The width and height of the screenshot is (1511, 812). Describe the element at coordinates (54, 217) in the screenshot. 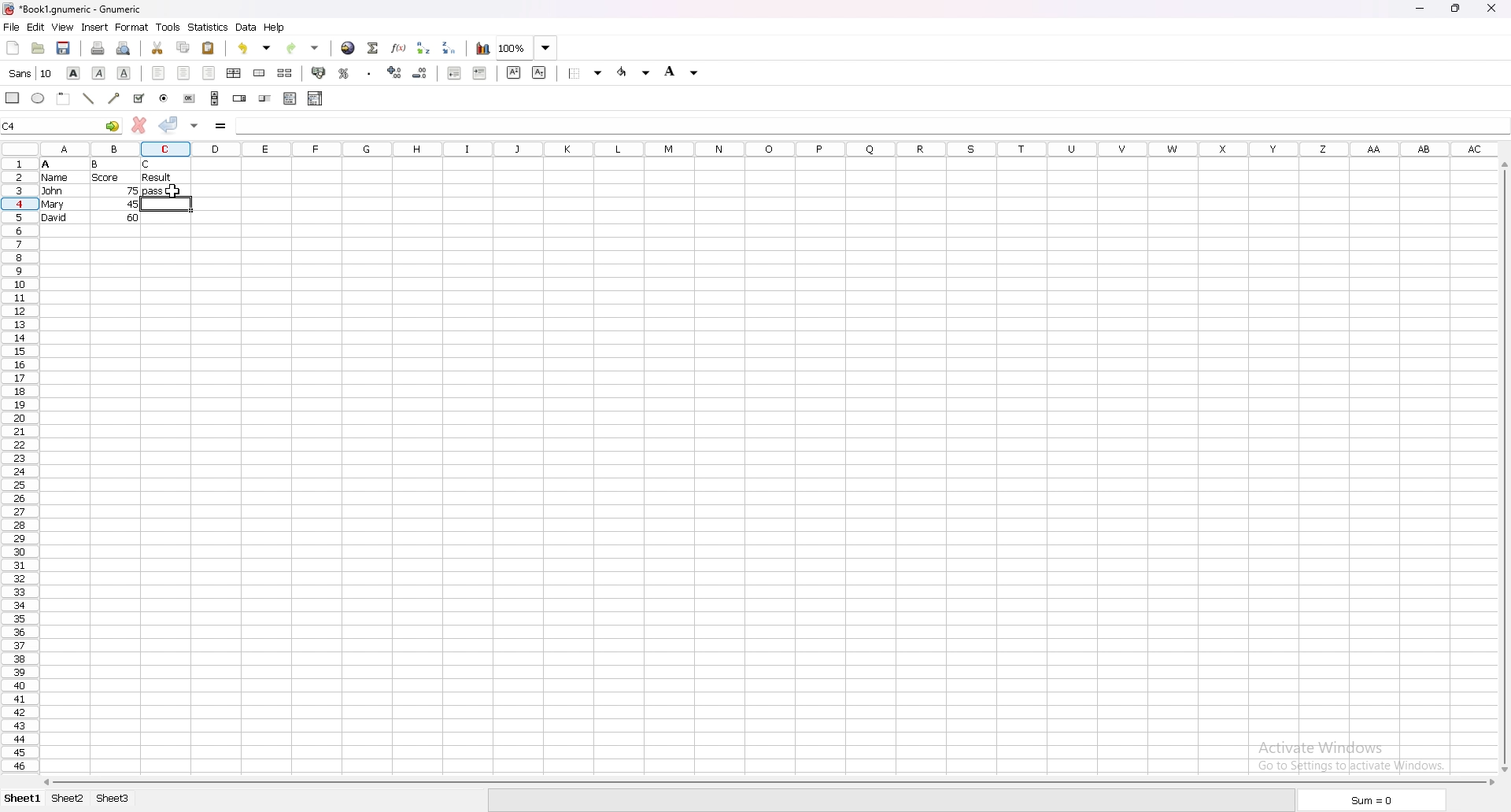

I see `david` at that location.